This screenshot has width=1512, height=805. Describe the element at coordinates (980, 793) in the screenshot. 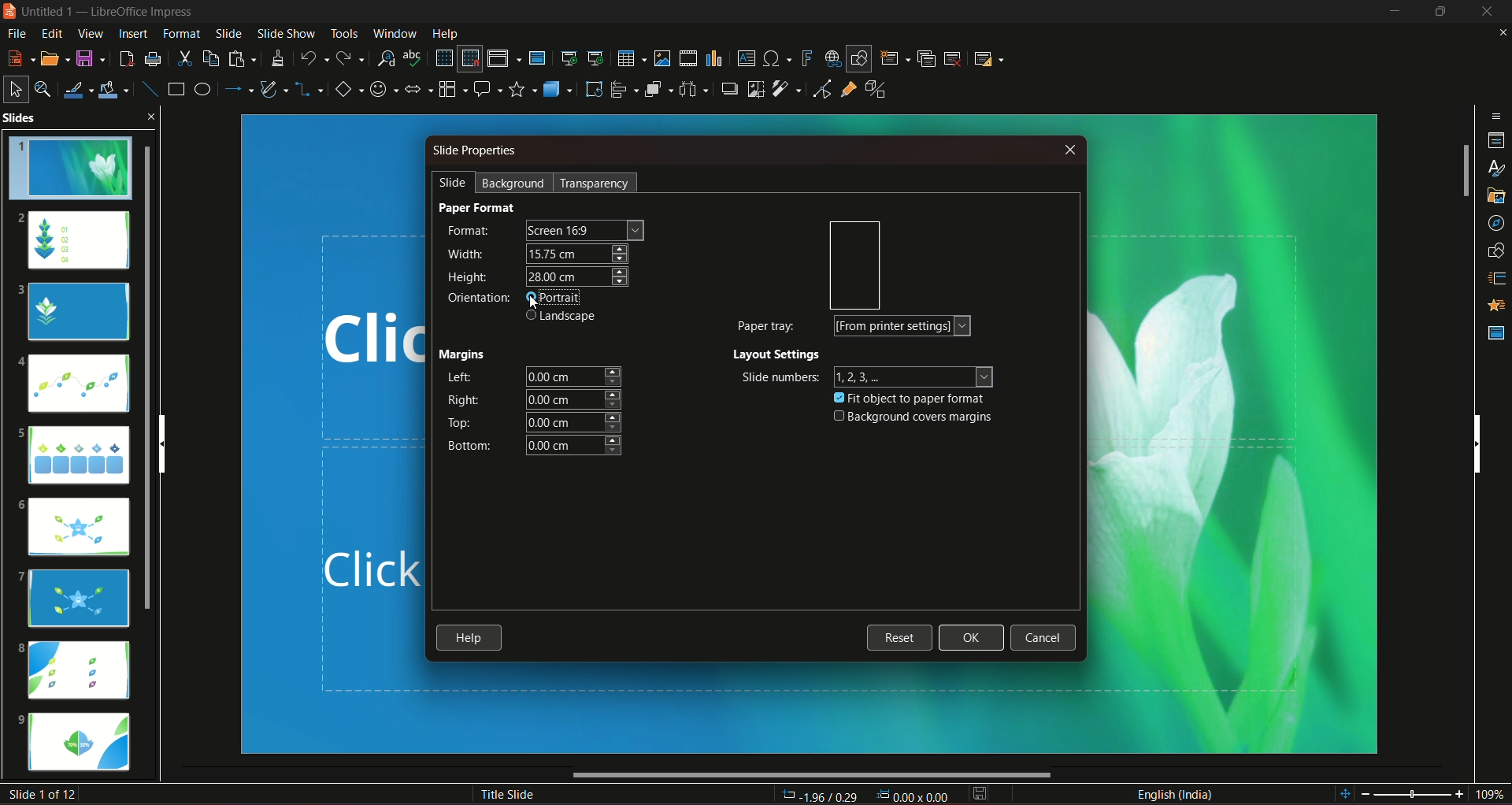

I see `save` at that location.